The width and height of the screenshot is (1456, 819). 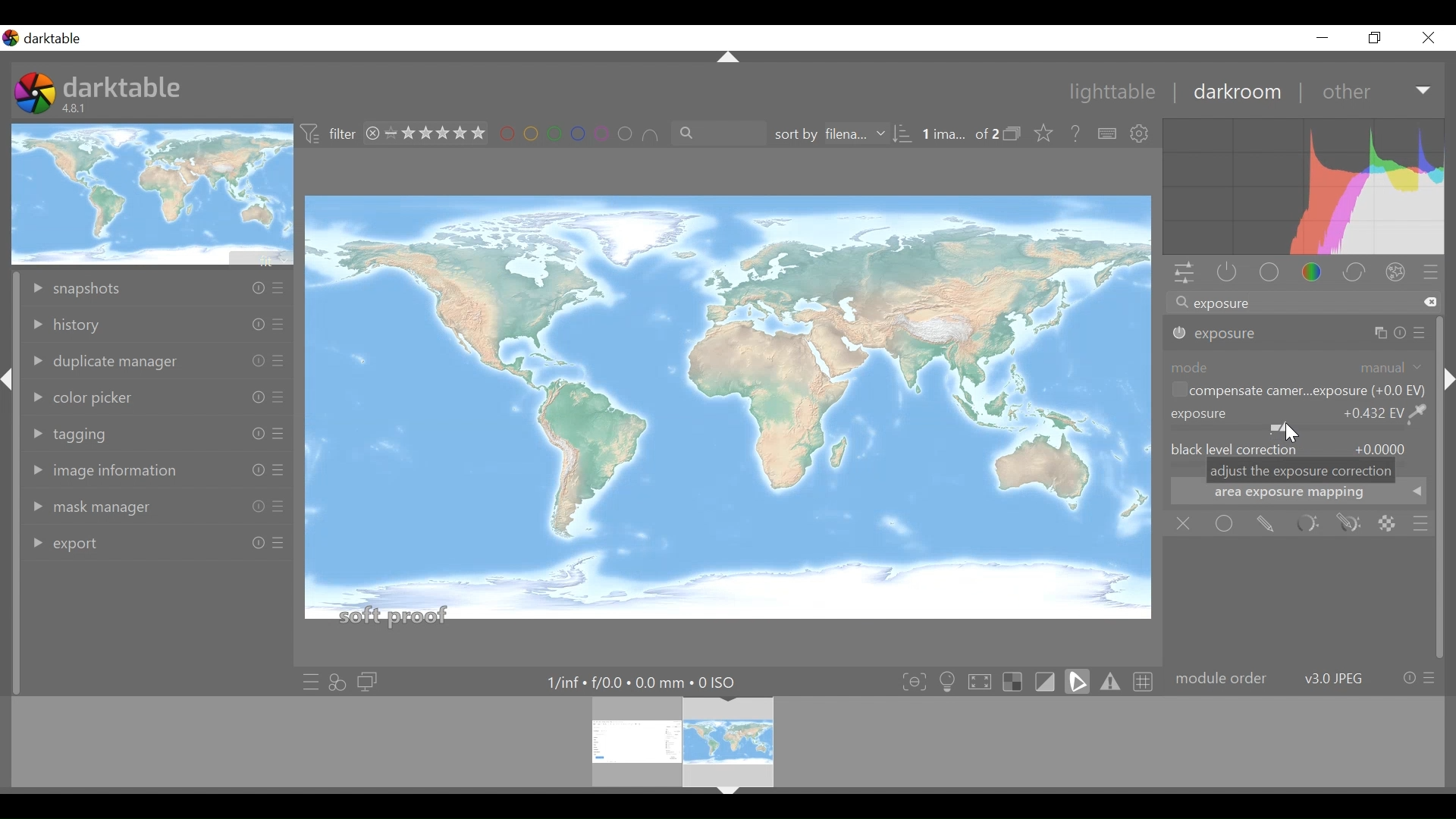 What do you see at coordinates (278, 472) in the screenshot?
I see `` at bounding box center [278, 472].